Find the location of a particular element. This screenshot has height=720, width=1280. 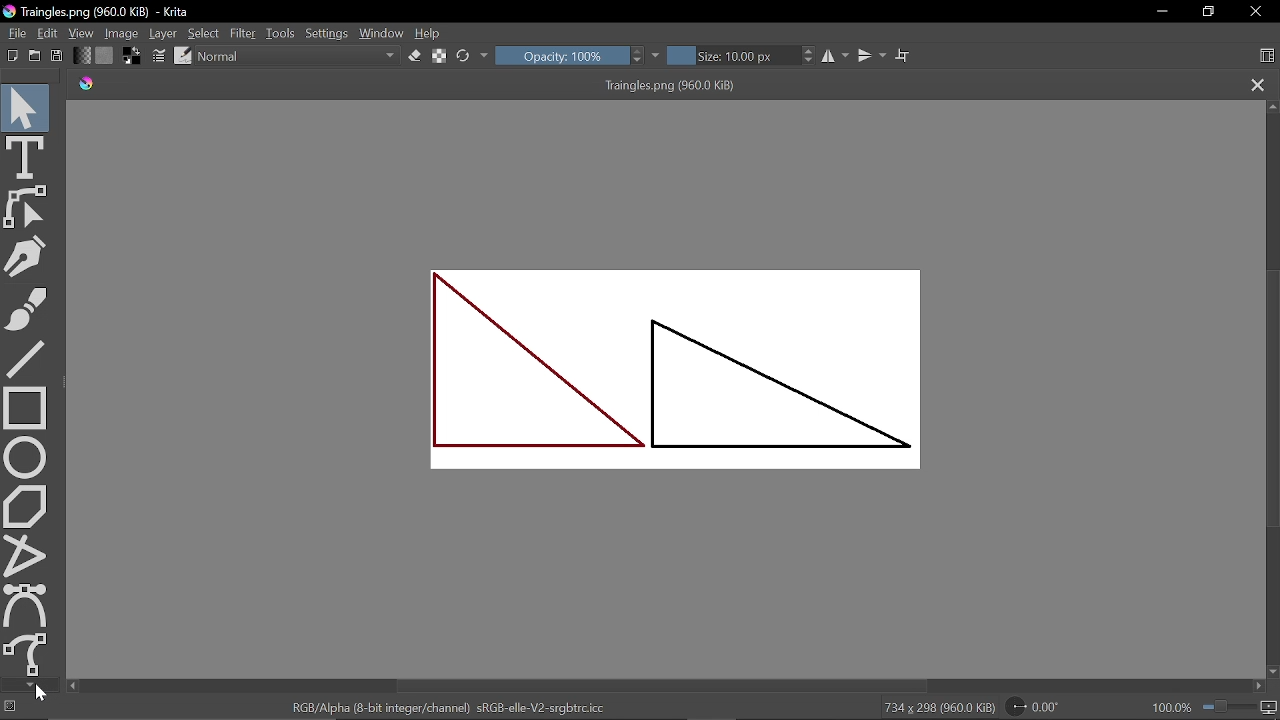

100.0& is located at coordinates (1216, 705).